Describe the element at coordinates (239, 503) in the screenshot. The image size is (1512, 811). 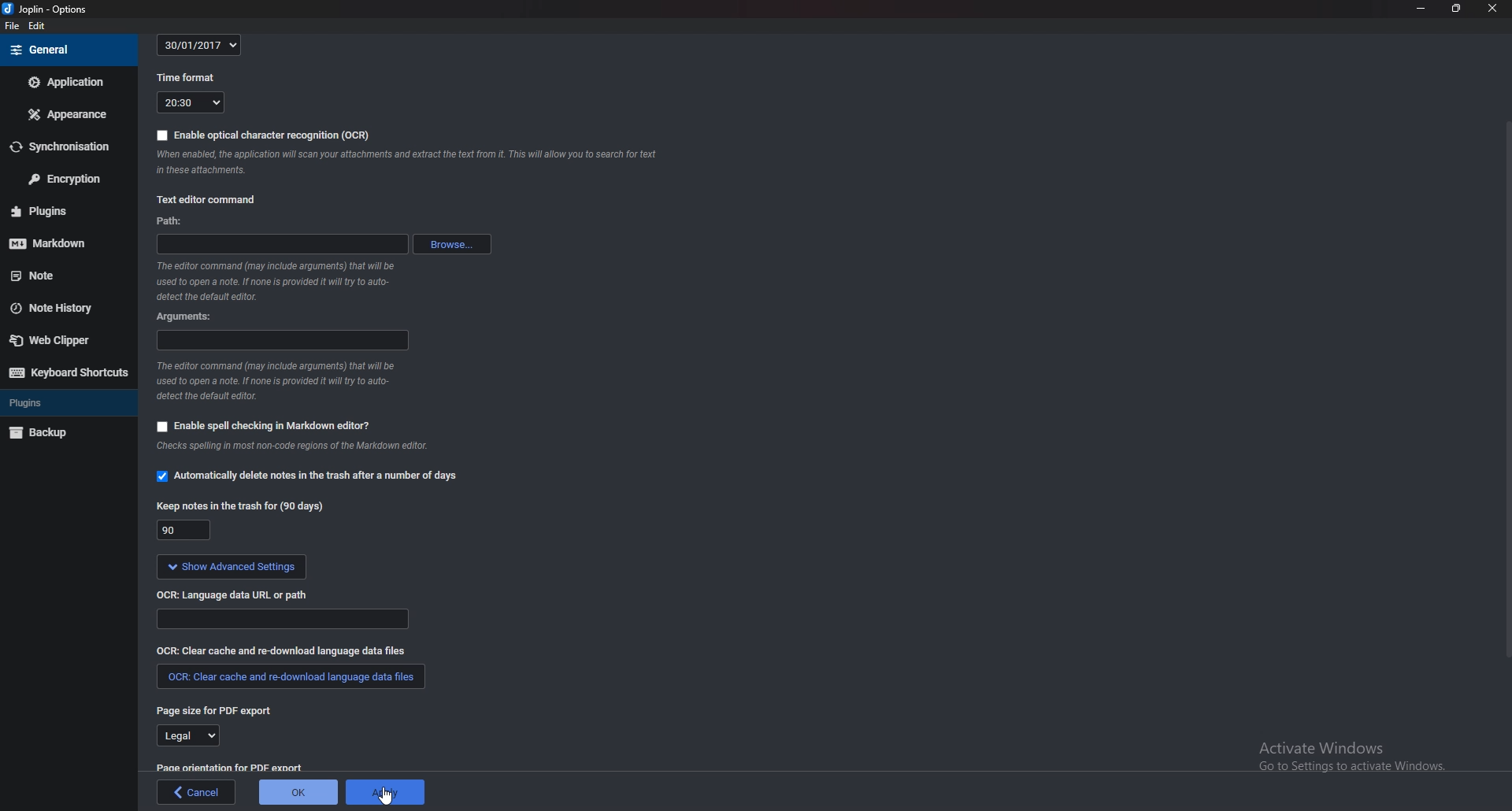
I see `Keep notes in the trash for` at that location.